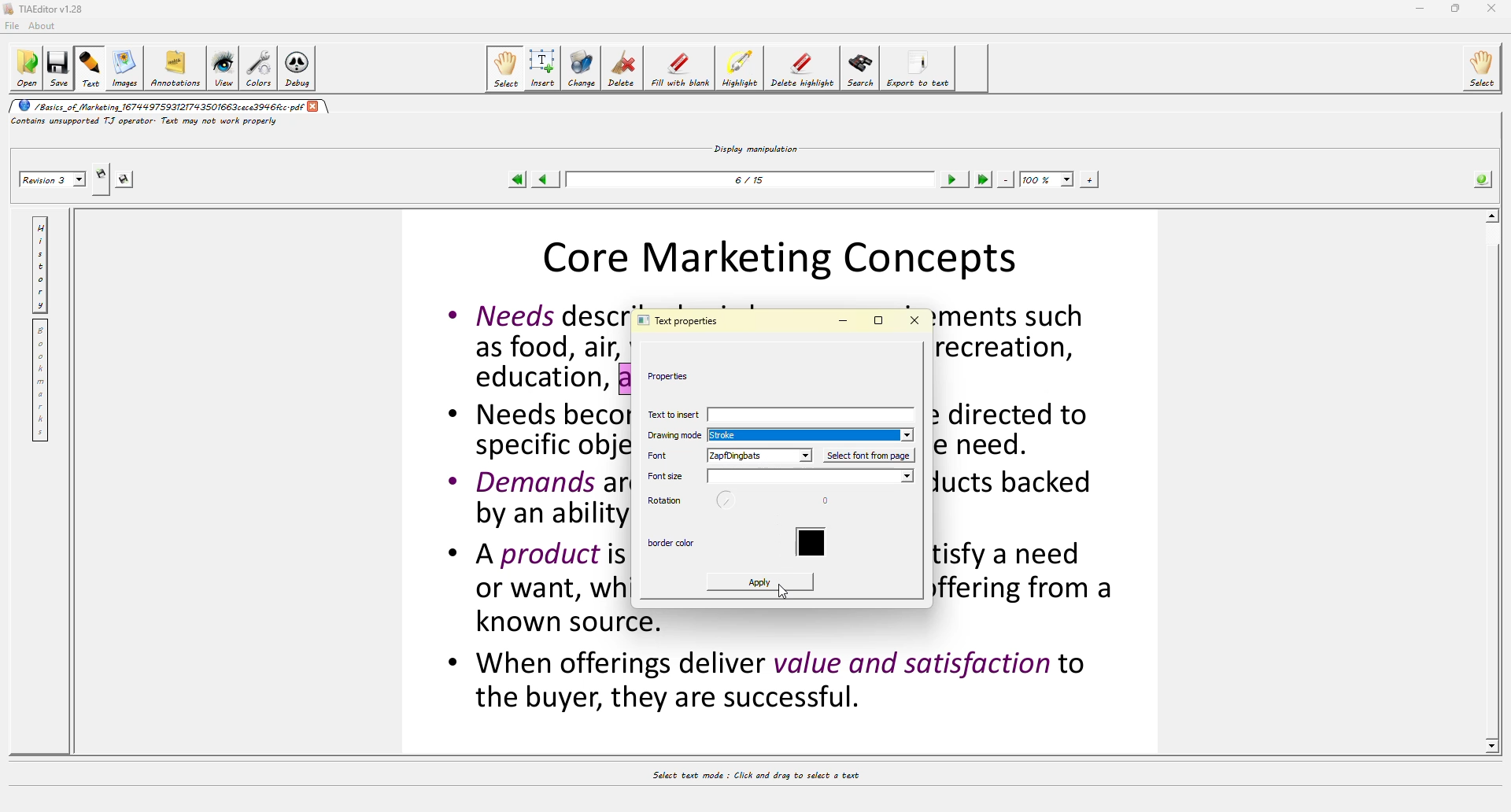 Image resolution: width=1511 pixels, height=812 pixels. I want to click on last page, so click(984, 179).